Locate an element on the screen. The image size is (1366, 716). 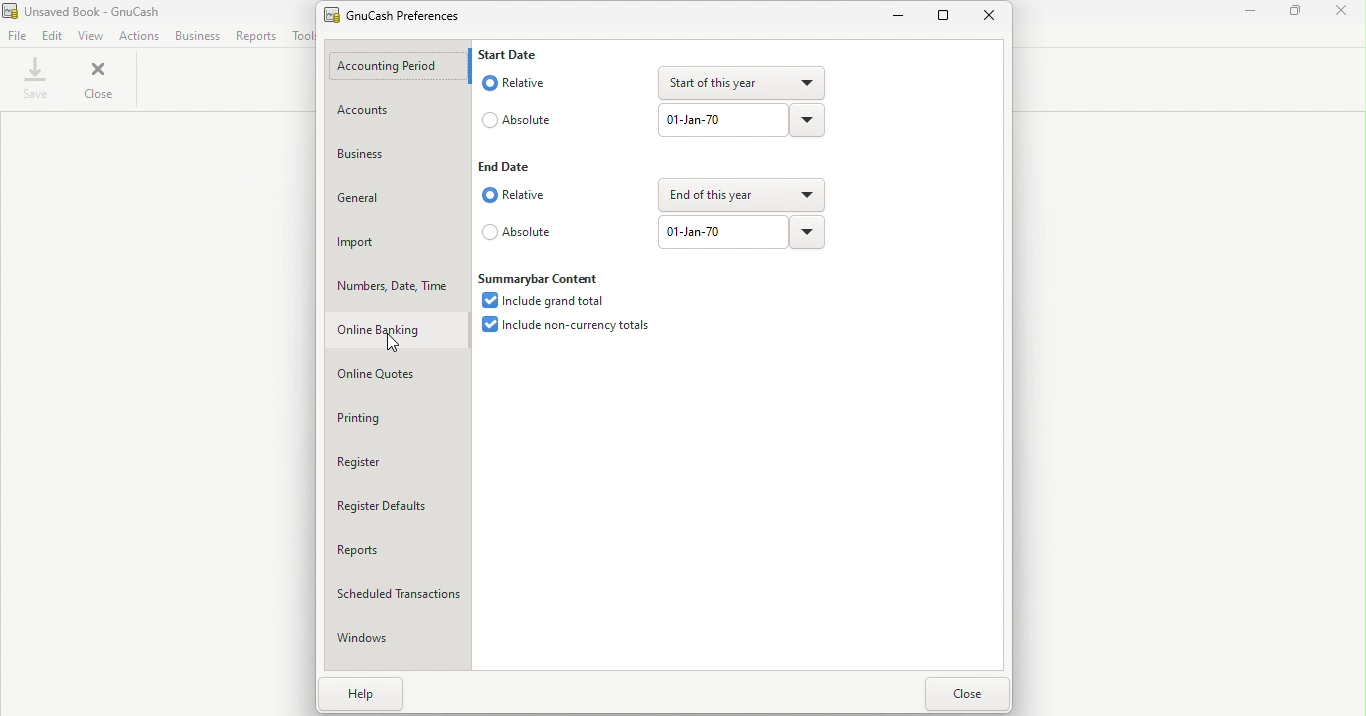
Business is located at coordinates (195, 36).